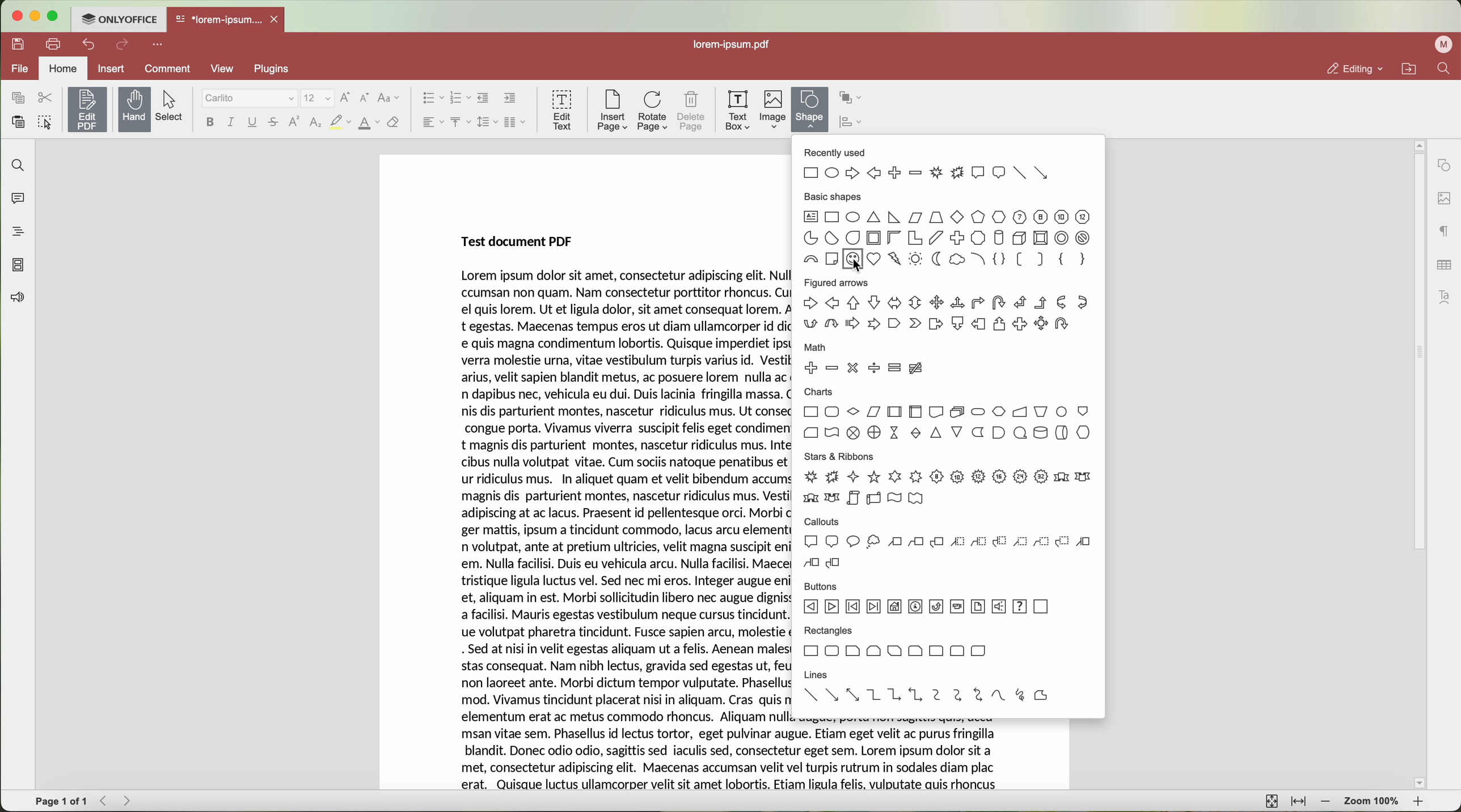 The image size is (1461, 812). What do you see at coordinates (509, 99) in the screenshot?
I see `increase indent` at bounding box center [509, 99].